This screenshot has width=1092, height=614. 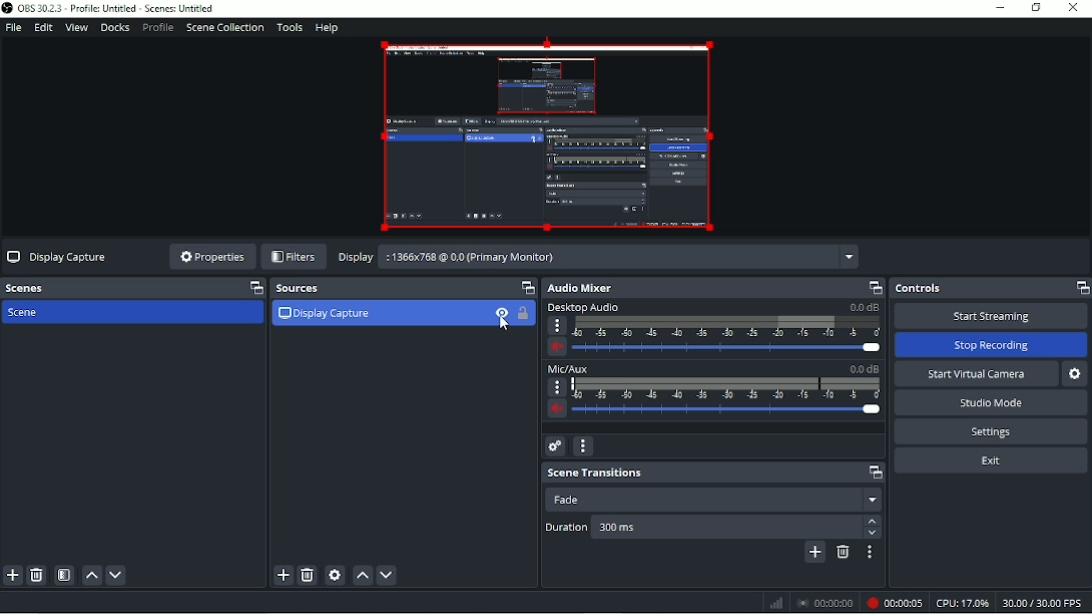 I want to click on FPS, so click(x=1044, y=602).